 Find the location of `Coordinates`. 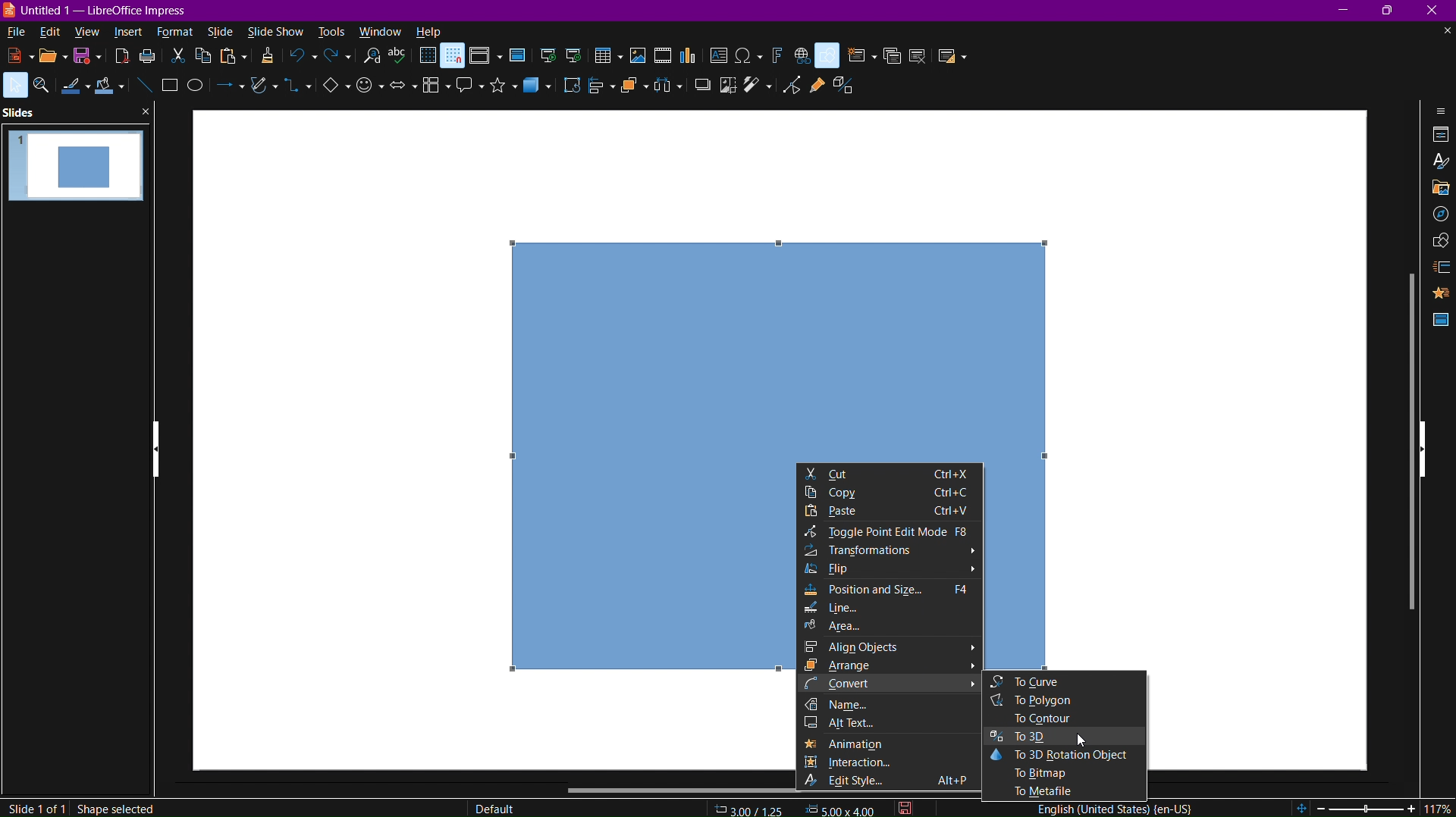

Coordinates is located at coordinates (750, 809).